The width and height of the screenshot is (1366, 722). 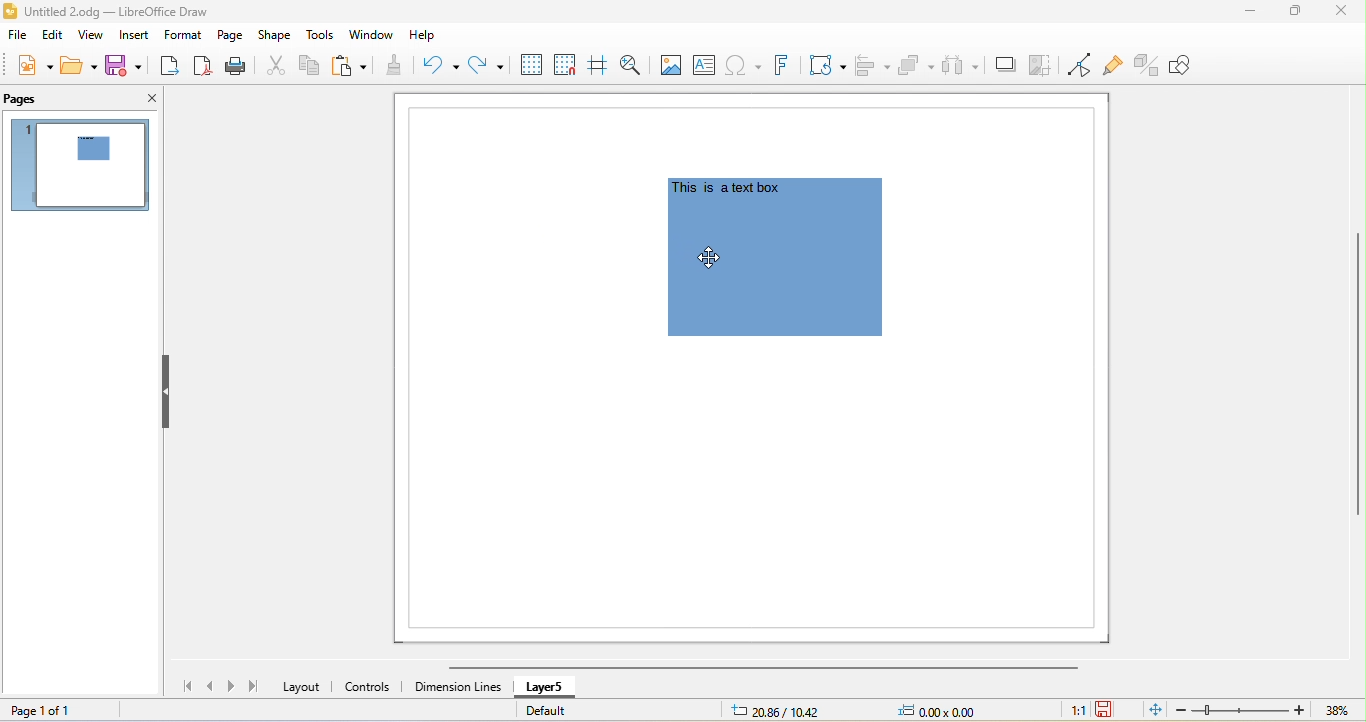 I want to click on title, so click(x=115, y=12).